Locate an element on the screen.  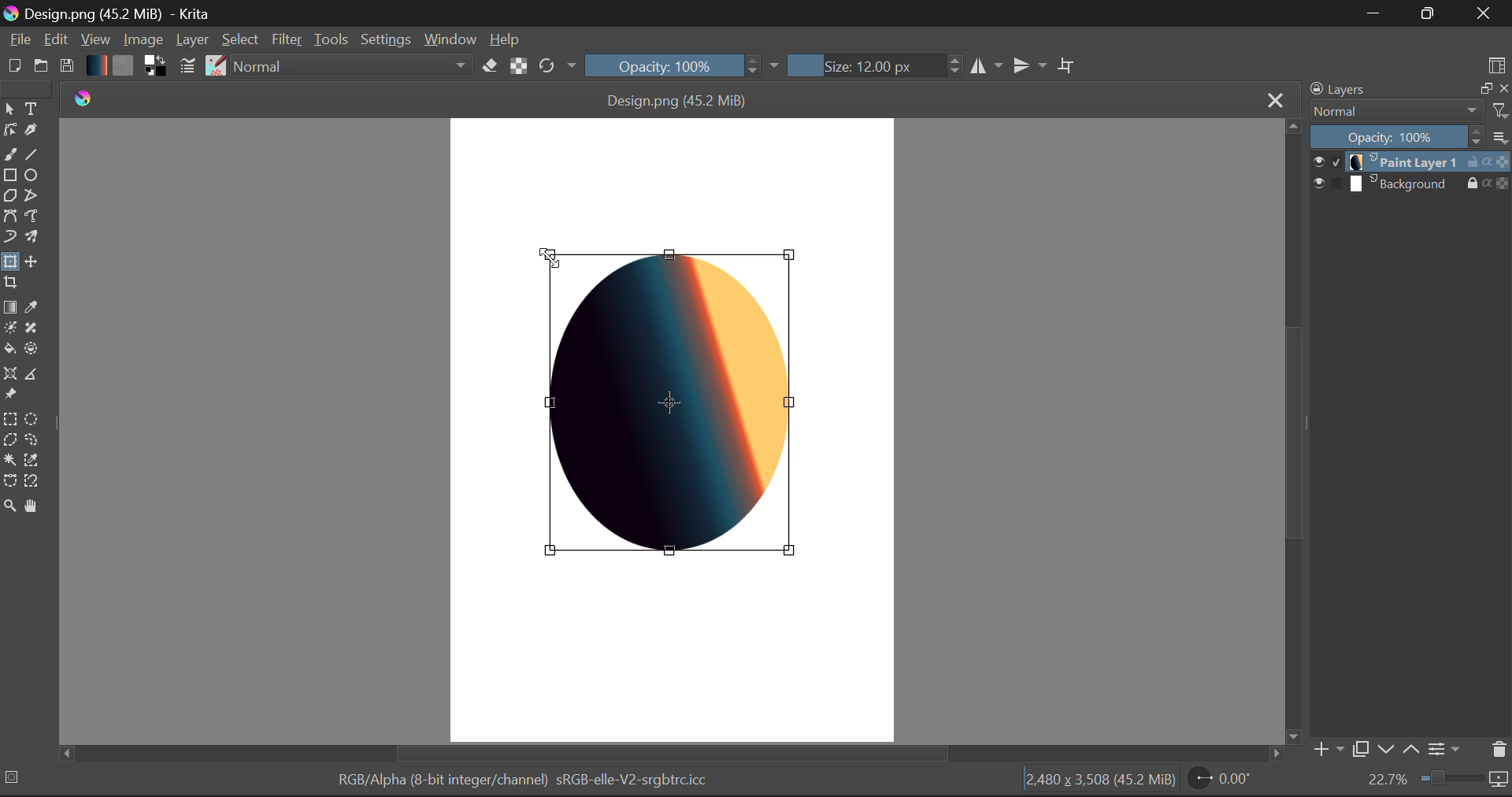
Brush Size is located at coordinates (871, 65).